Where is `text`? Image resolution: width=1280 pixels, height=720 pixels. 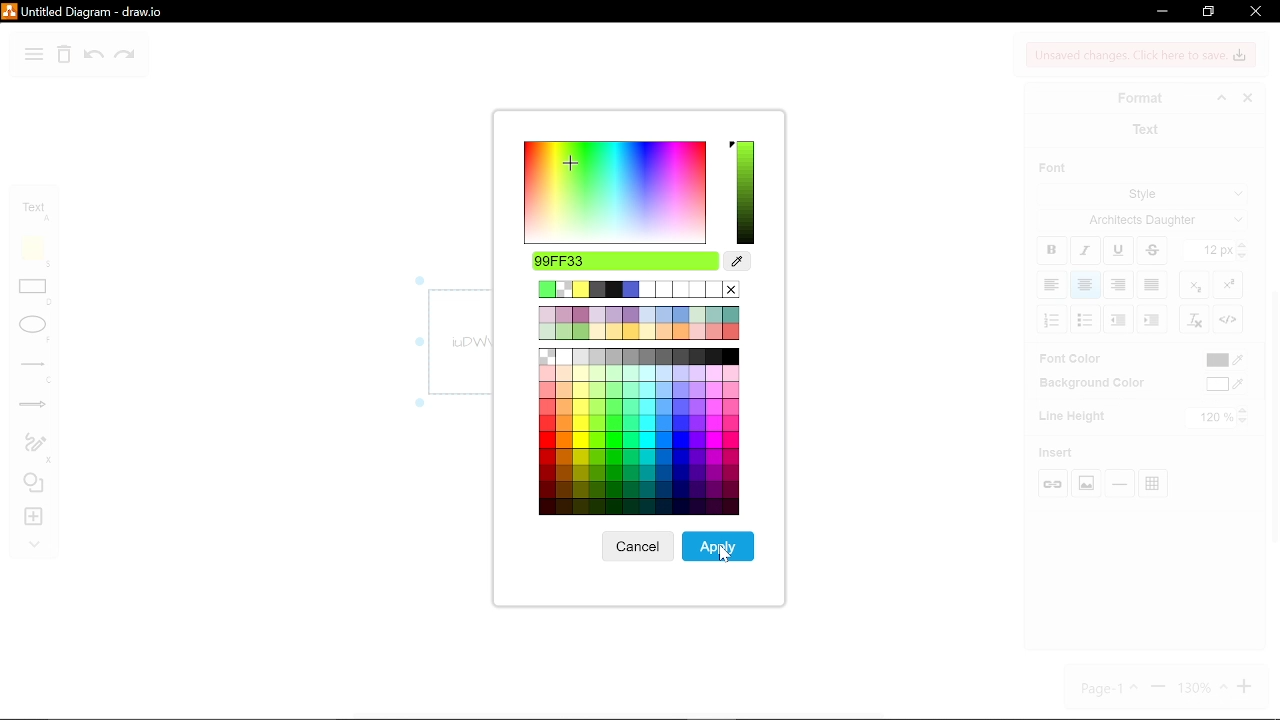
text is located at coordinates (30, 206).